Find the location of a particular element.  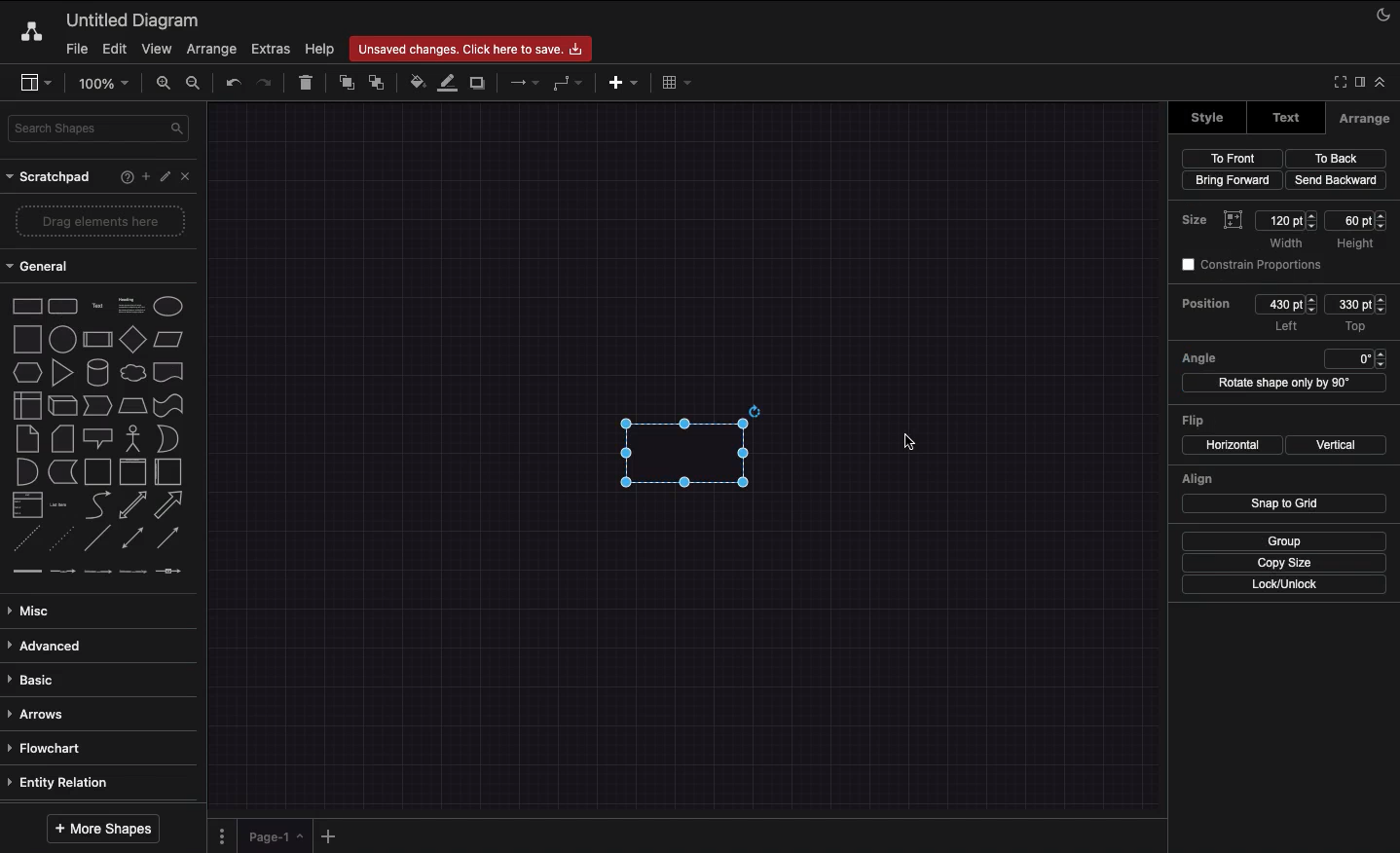

Table is located at coordinates (677, 83).